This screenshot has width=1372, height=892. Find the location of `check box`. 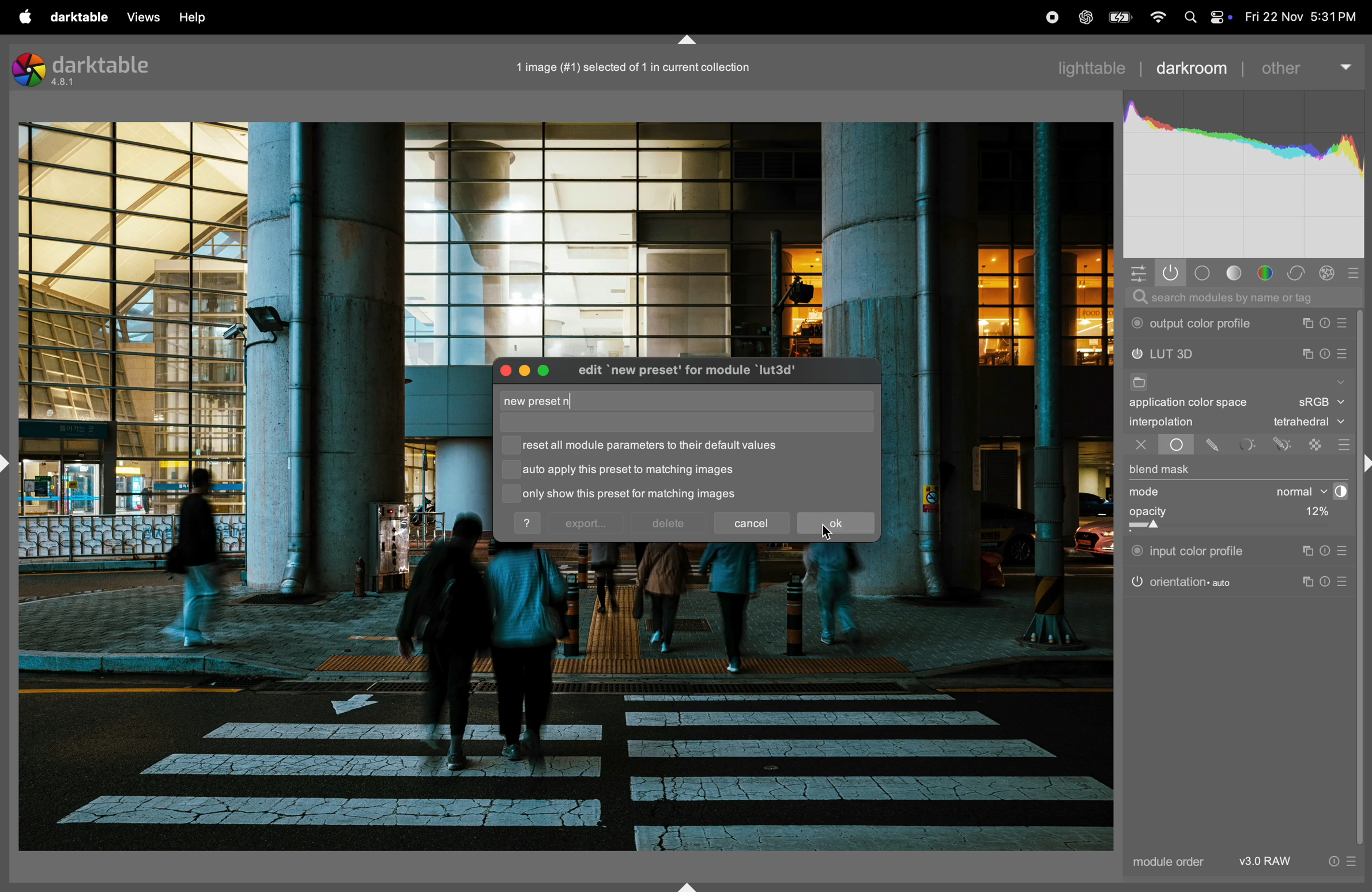

check box is located at coordinates (511, 445).